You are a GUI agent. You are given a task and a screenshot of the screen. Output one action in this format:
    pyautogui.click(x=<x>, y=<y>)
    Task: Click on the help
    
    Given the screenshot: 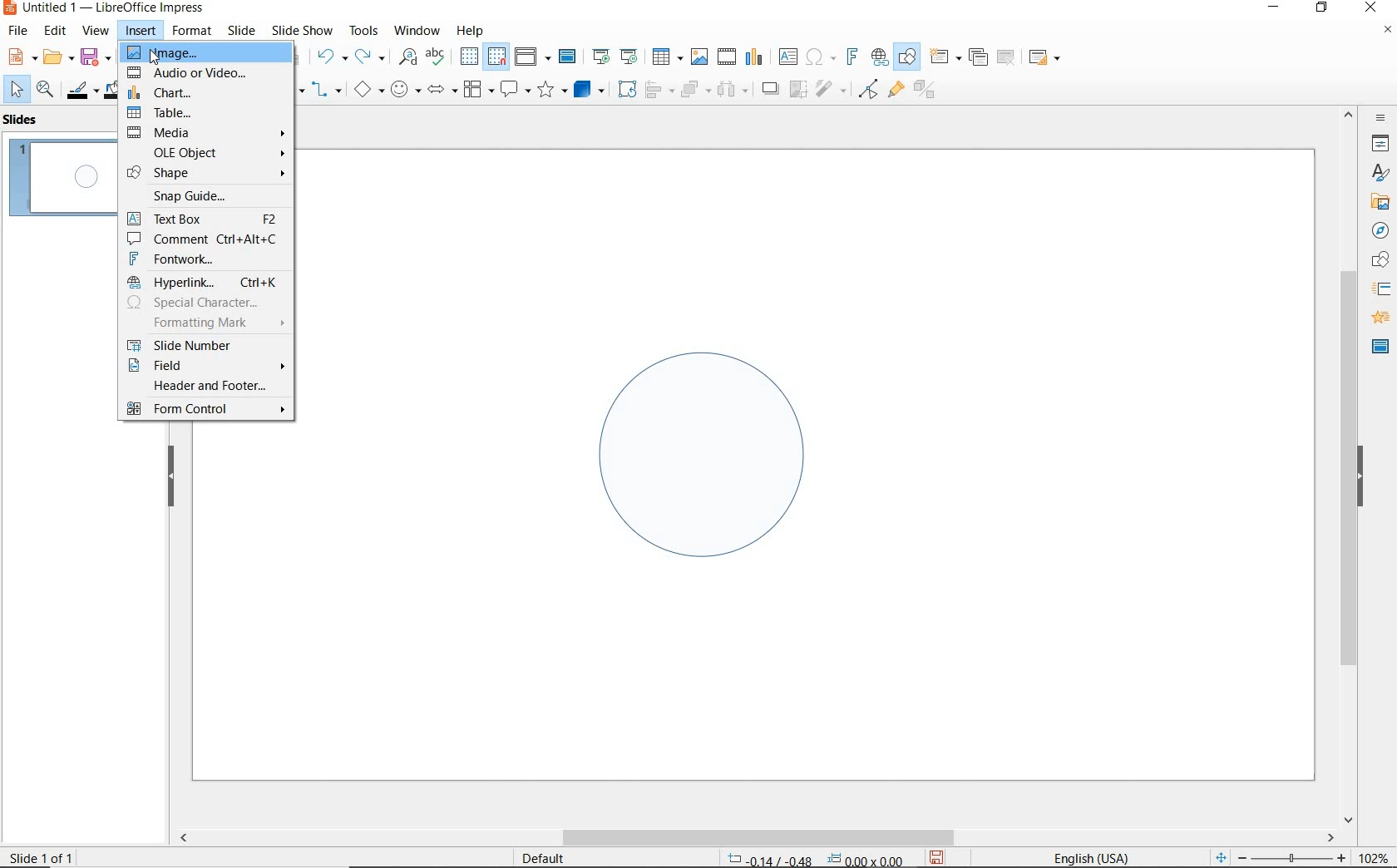 What is the action you would take?
    pyautogui.click(x=472, y=28)
    